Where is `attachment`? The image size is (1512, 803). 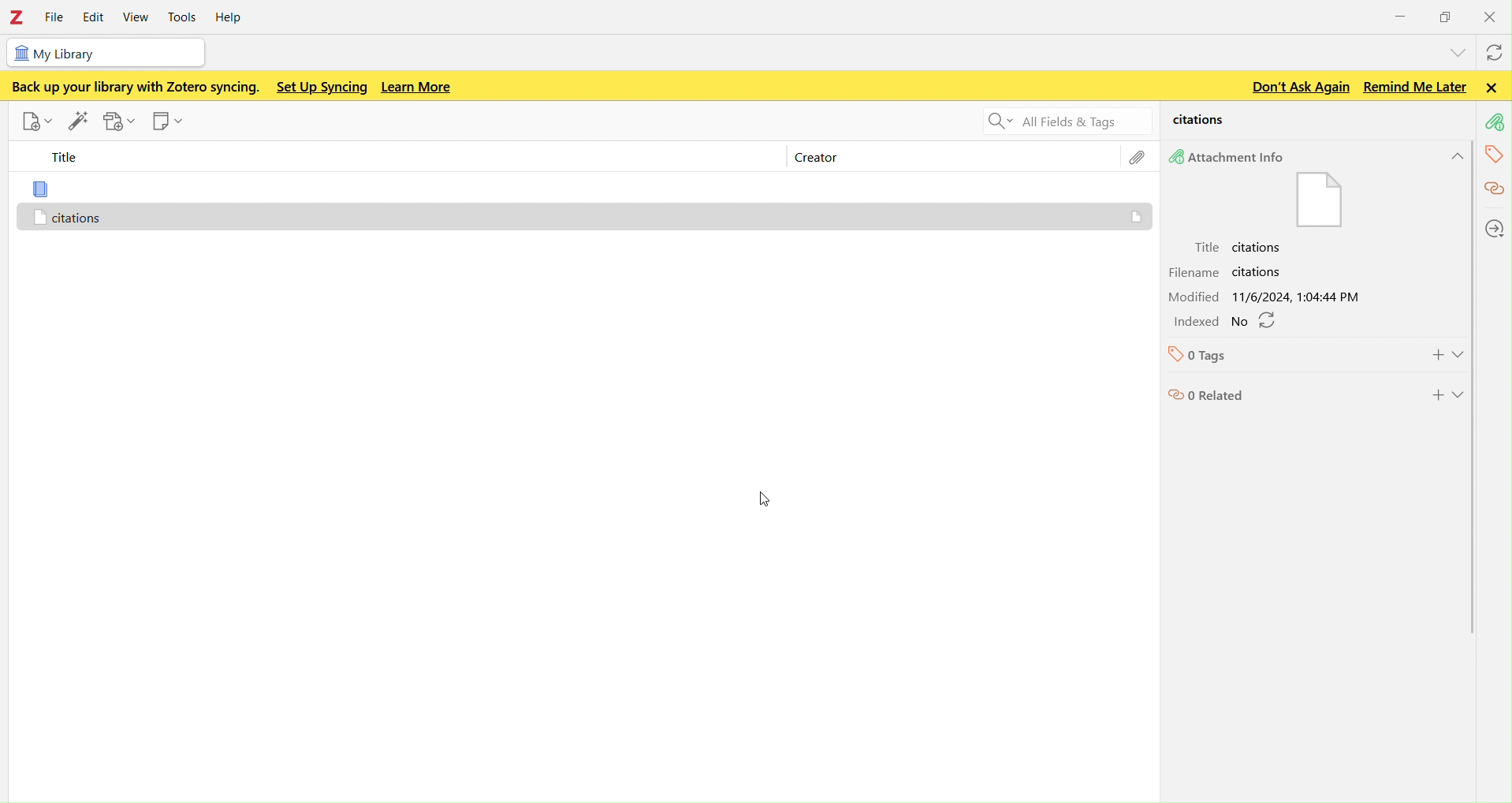
attachment is located at coordinates (1496, 121).